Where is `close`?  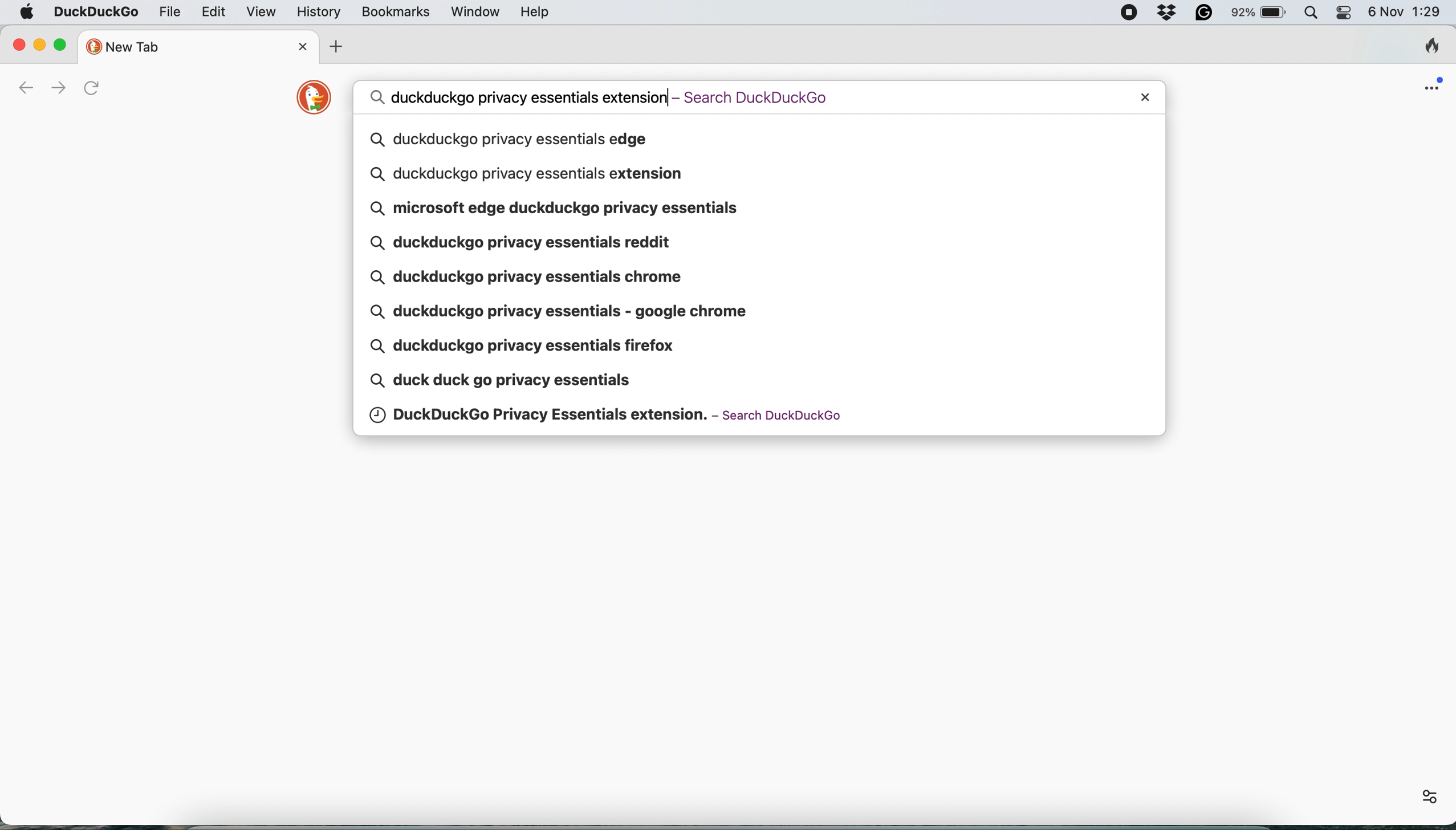
close is located at coordinates (1146, 98).